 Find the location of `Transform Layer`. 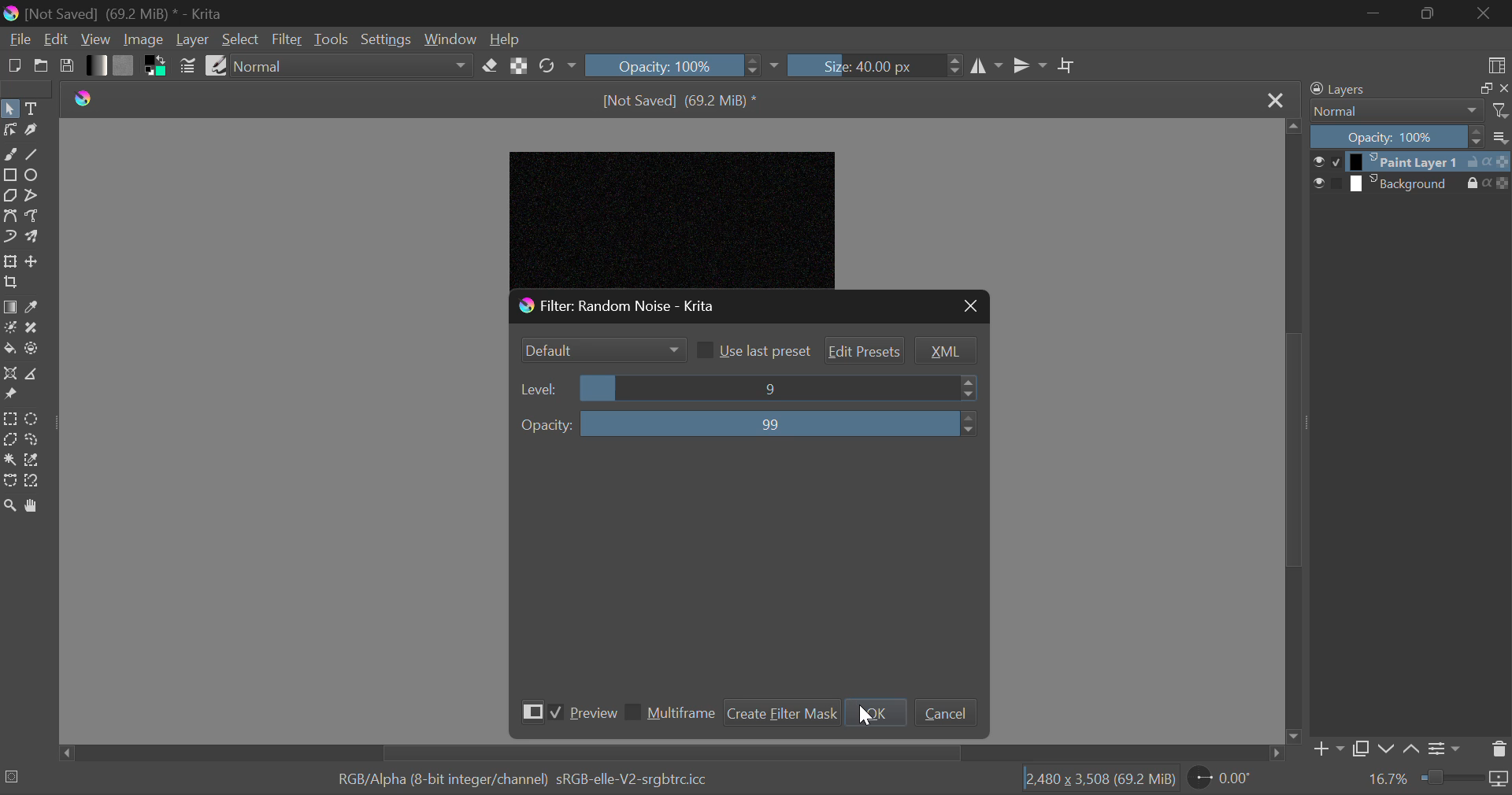

Transform Layer is located at coordinates (10, 261).